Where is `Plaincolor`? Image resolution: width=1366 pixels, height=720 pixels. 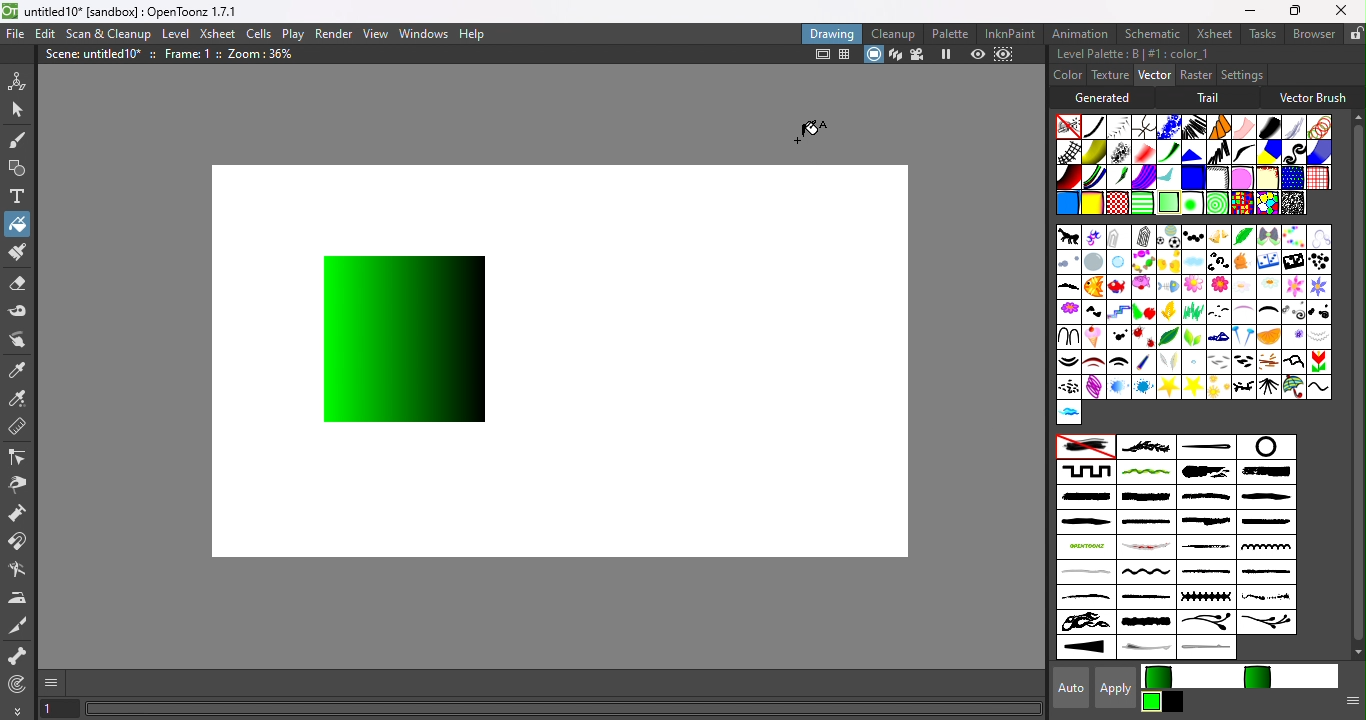
Plaincolor is located at coordinates (1084, 447).